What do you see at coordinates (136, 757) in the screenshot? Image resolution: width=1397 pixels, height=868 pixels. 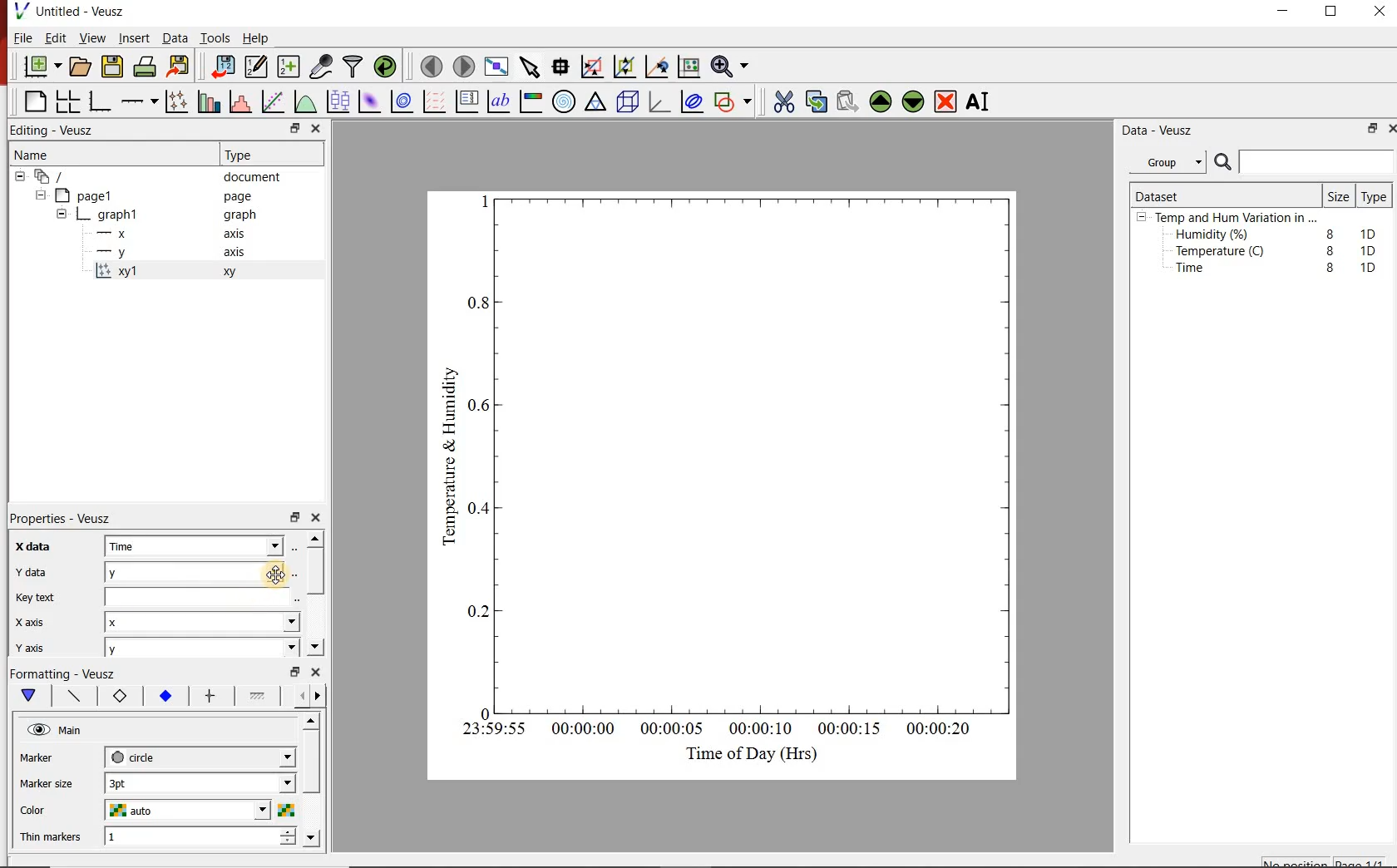 I see `circle` at bounding box center [136, 757].